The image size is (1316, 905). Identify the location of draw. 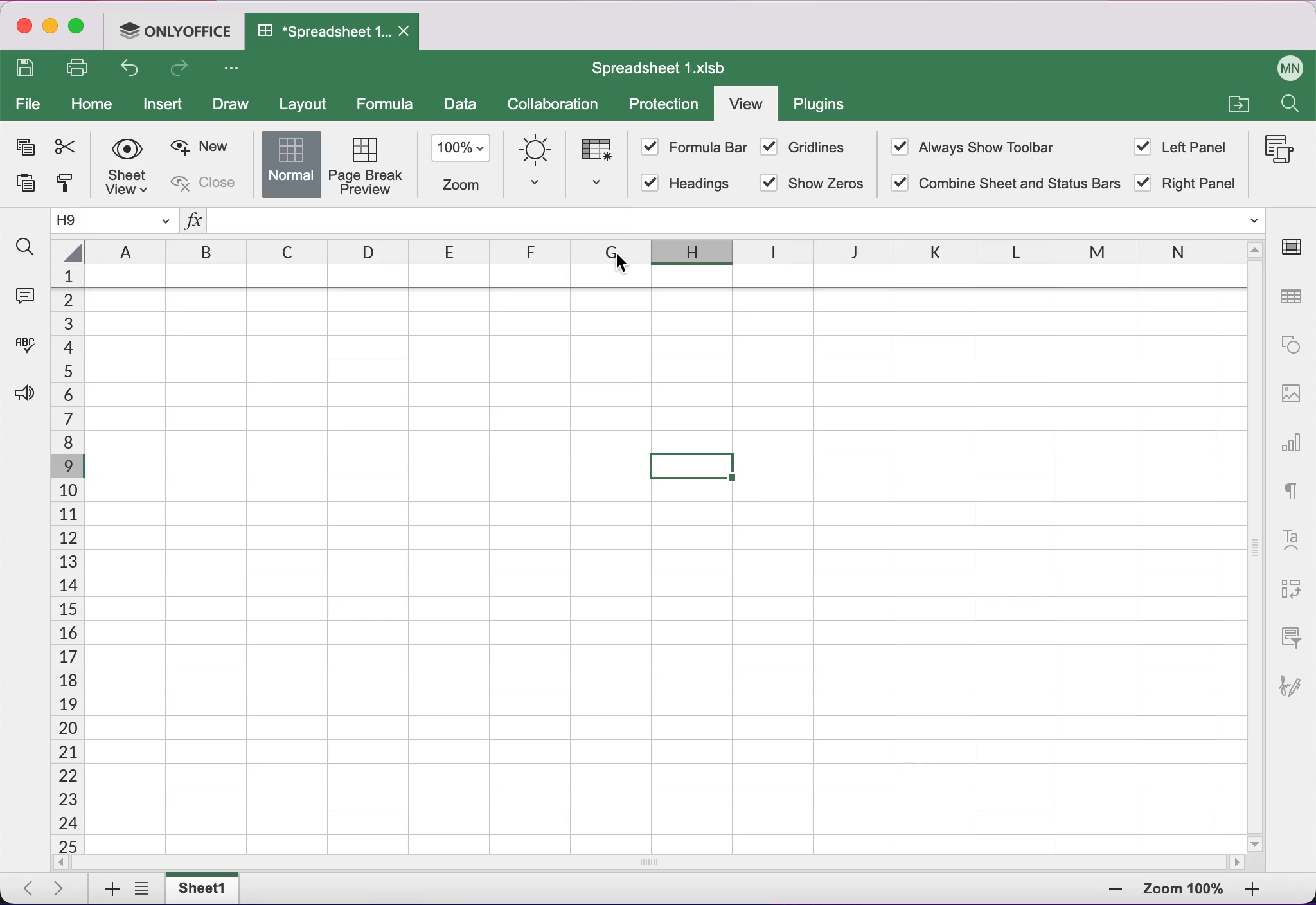
(235, 105).